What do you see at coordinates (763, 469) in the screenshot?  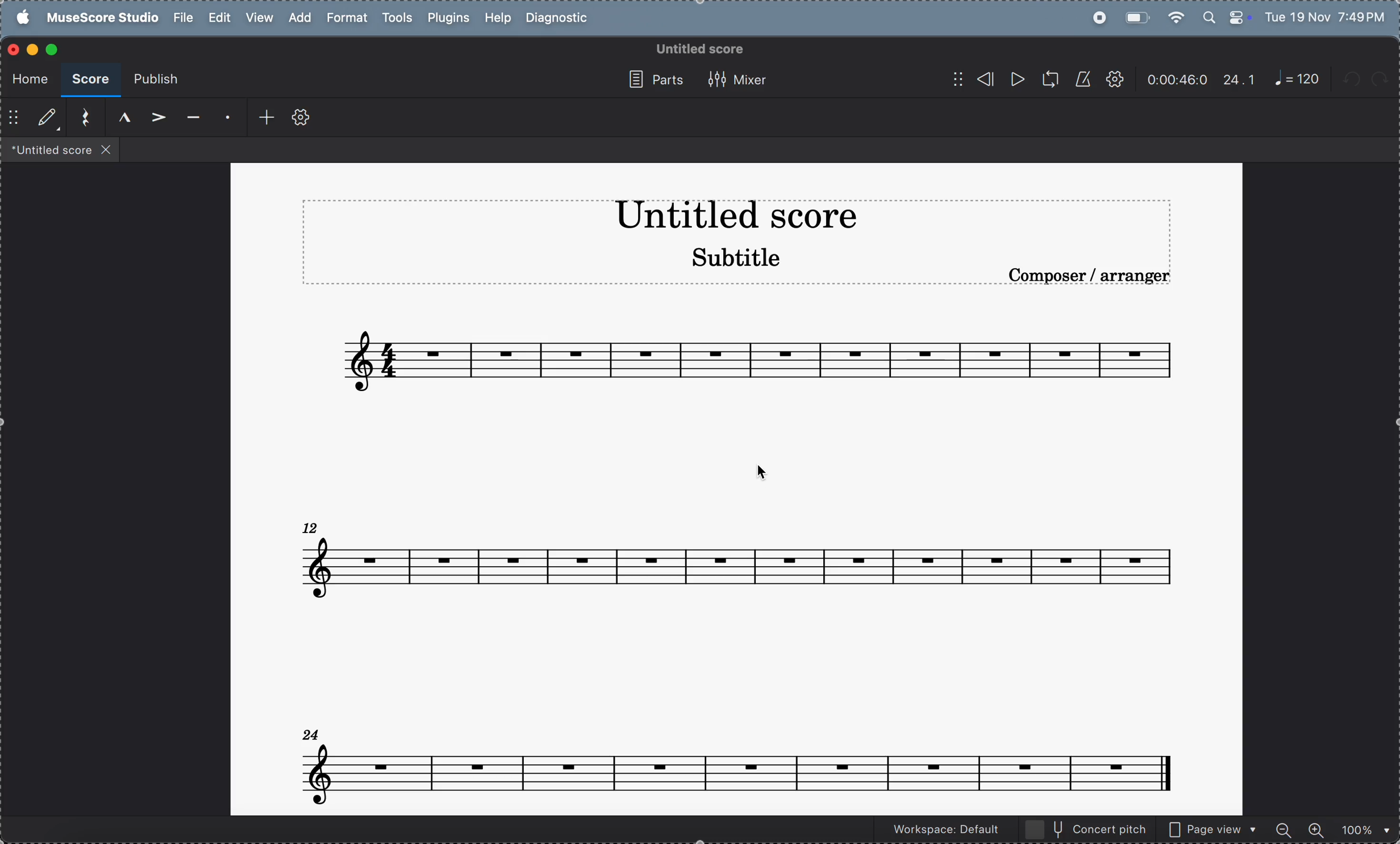 I see `cursor` at bounding box center [763, 469].